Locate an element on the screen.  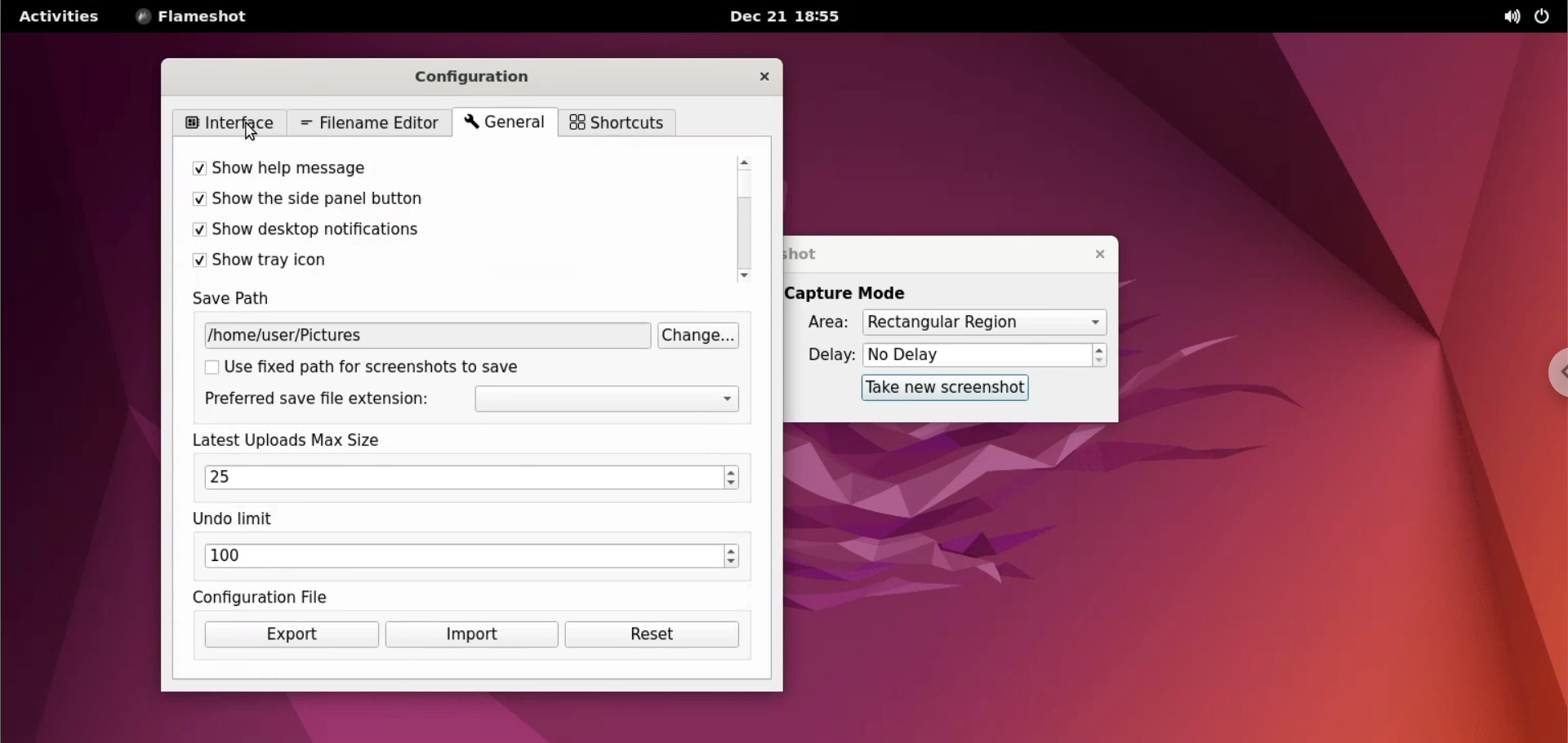
reset is located at coordinates (656, 638).